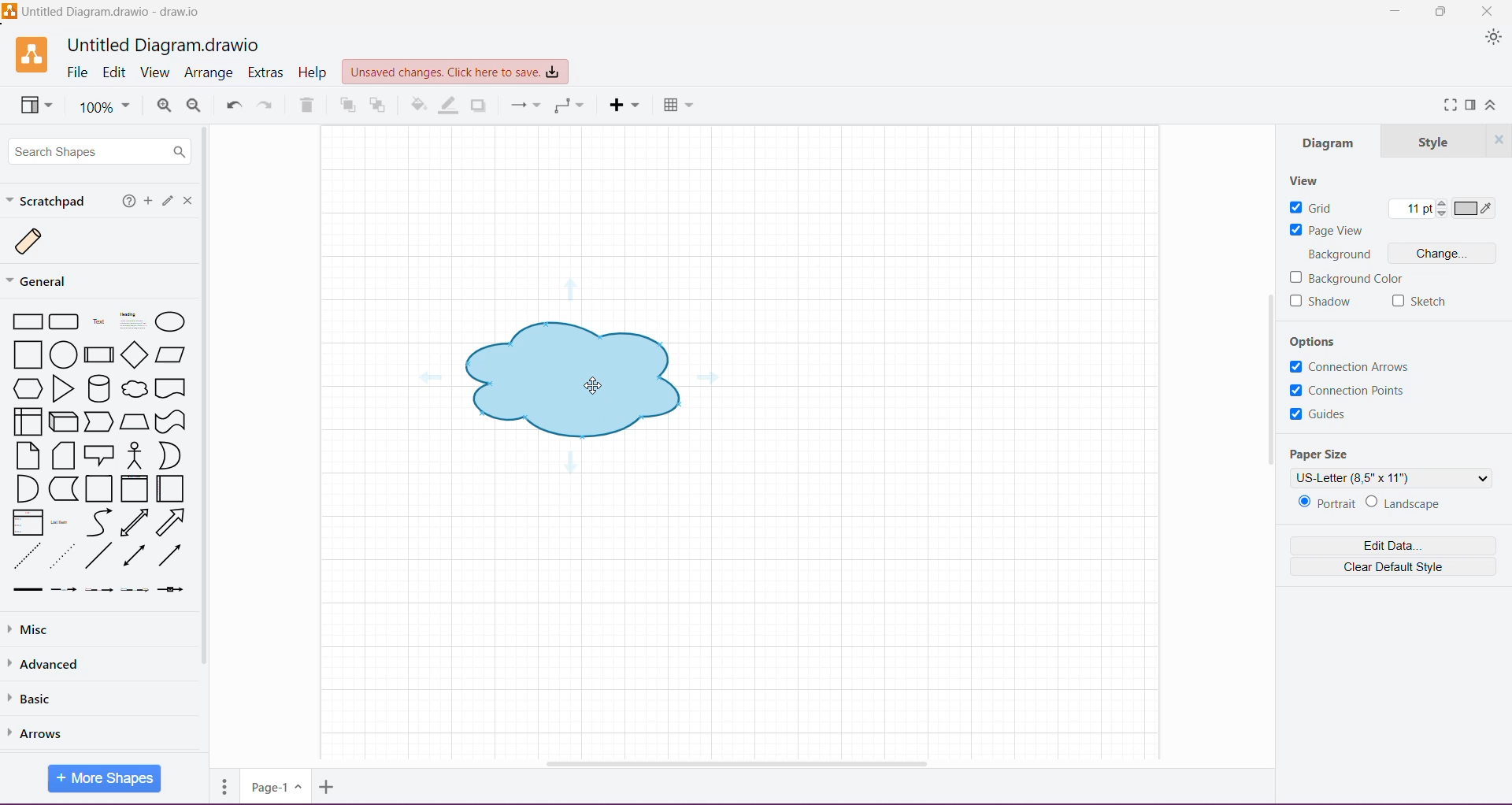 Image resolution: width=1512 pixels, height=805 pixels. What do you see at coordinates (1393, 12) in the screenshot?
I see `Minimize` at bounding box center [1393, 12].